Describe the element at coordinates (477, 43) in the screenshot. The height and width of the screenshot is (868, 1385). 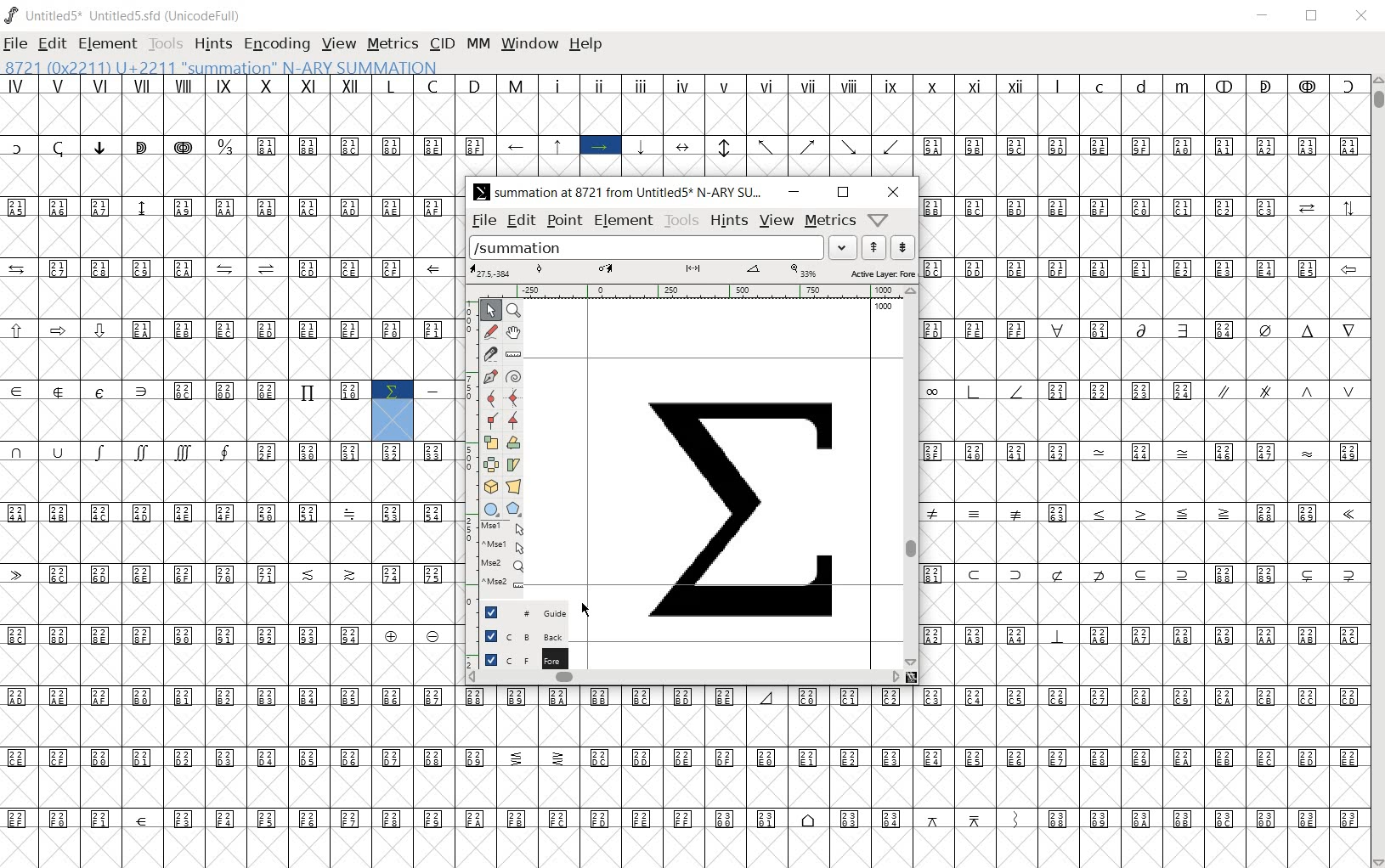
I see `MM` at that location.